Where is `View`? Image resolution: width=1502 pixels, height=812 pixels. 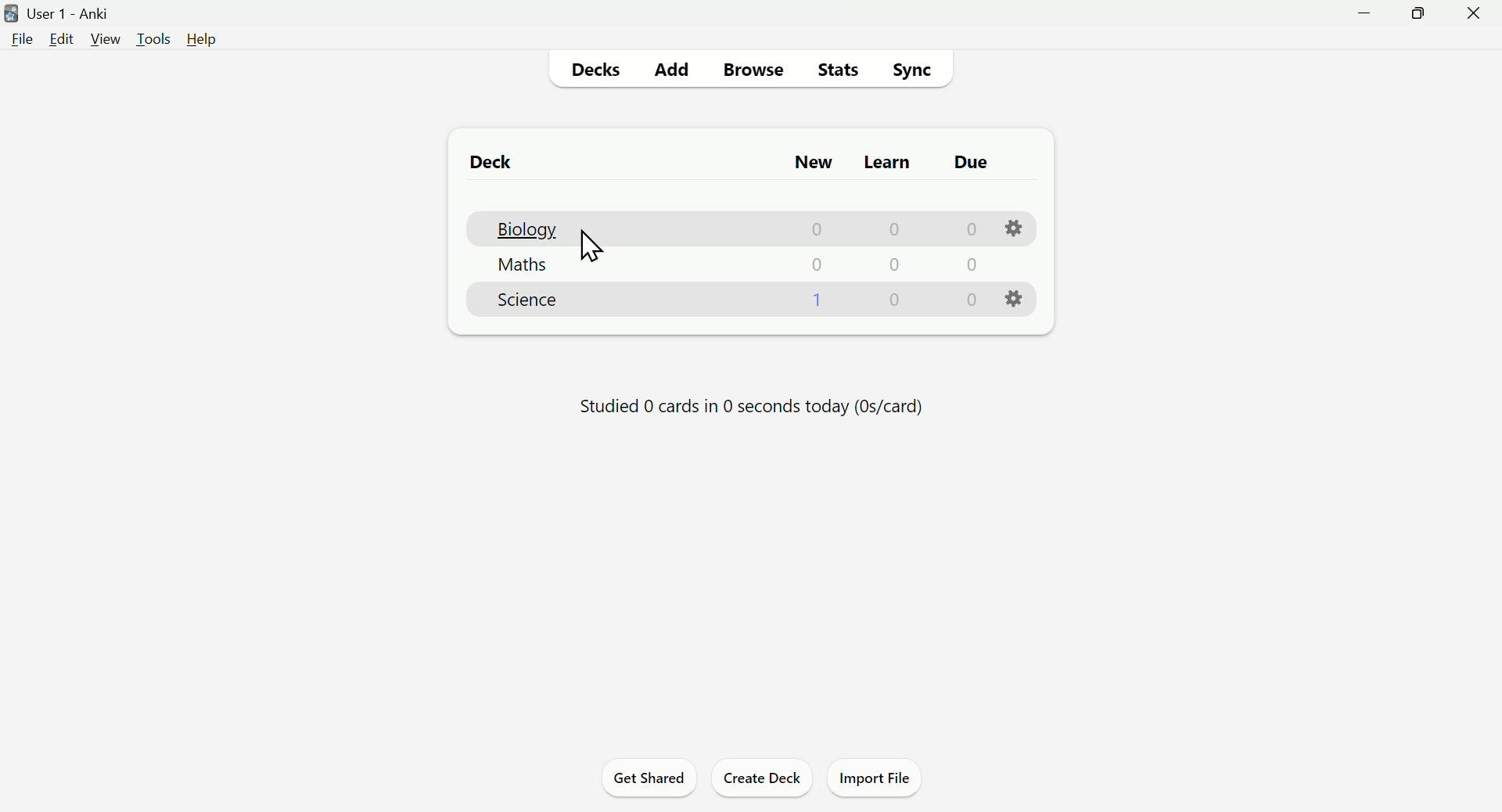 View is located at coordinates (104, 38).